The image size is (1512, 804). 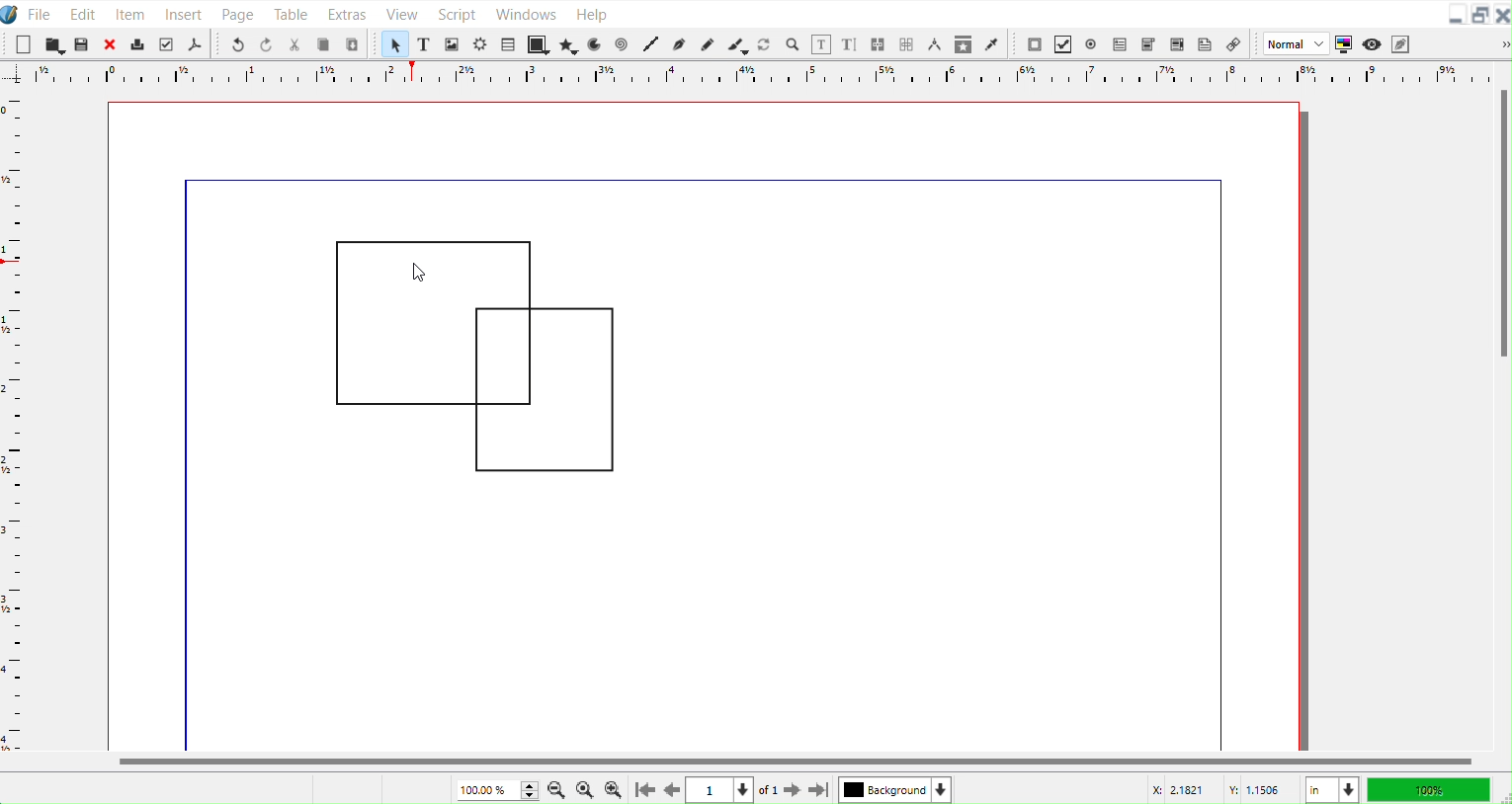 What do you see at coordinates (936, 45) in the screenshot?
I see `Measurements` at bounding box center [936, 45].